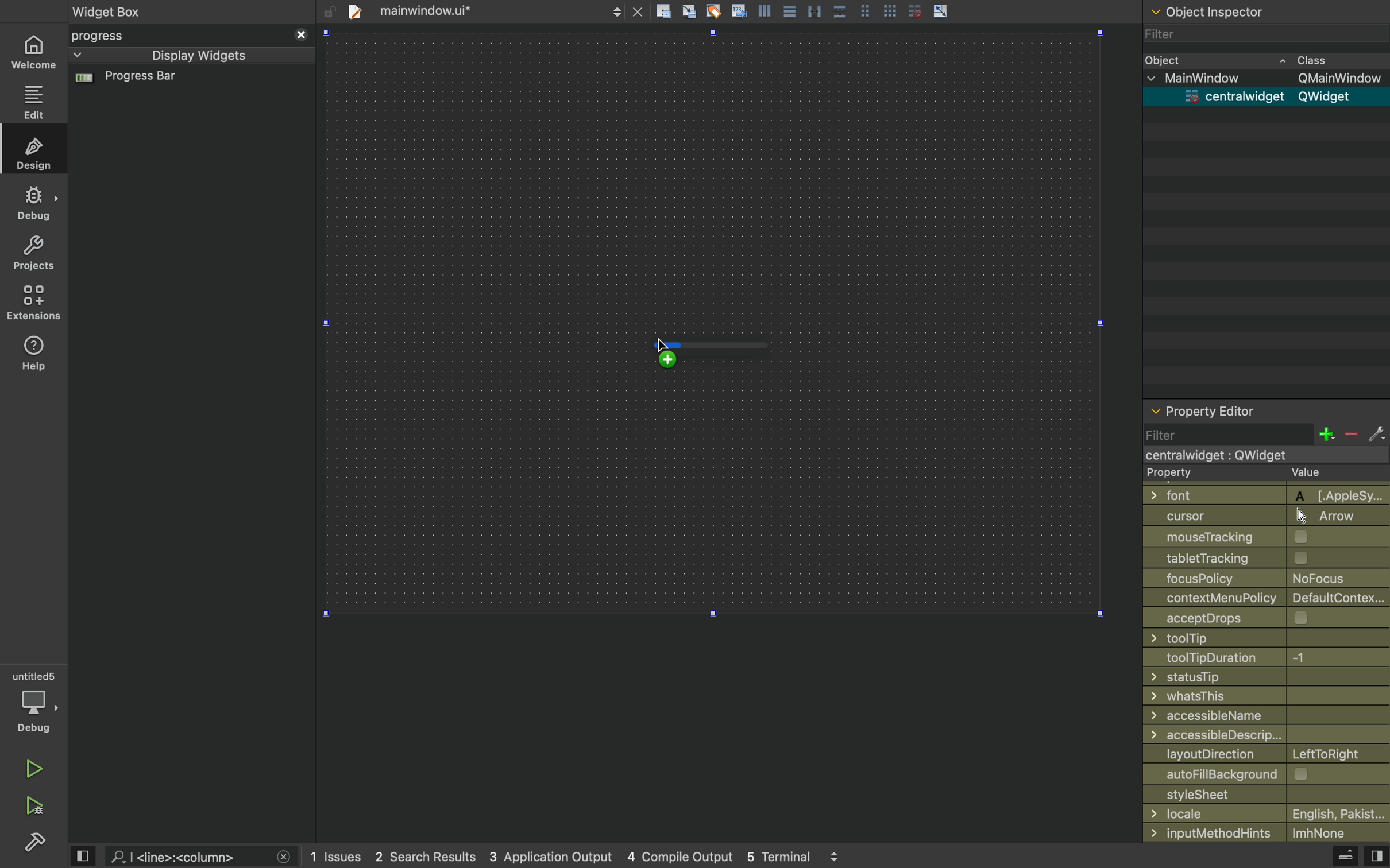  Describe the element at coordinates (1265, 831) in the screenshot. I see `inputmethodhints` at that location.